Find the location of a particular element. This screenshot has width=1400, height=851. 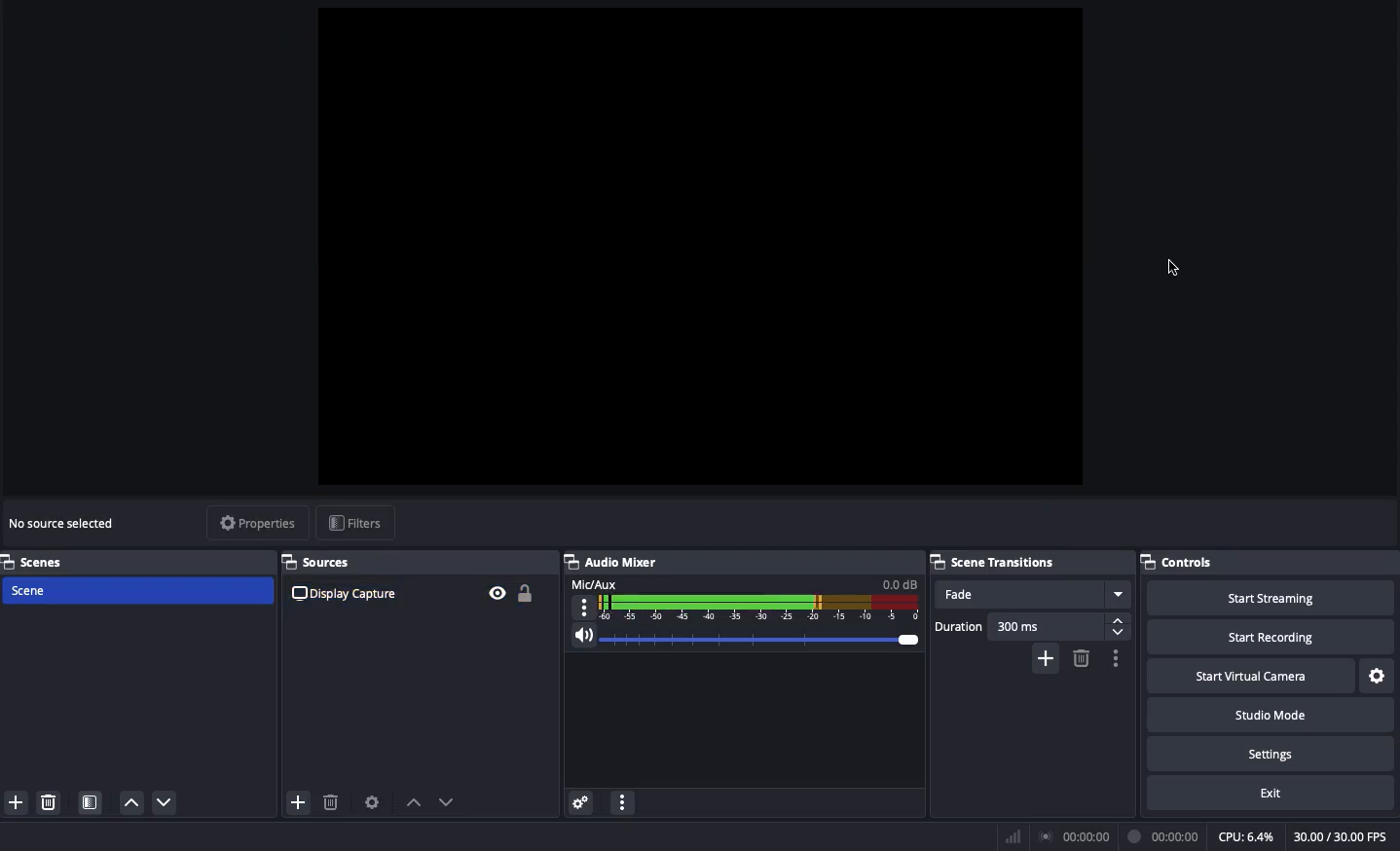

Move down is located at coordinates (166, 802).